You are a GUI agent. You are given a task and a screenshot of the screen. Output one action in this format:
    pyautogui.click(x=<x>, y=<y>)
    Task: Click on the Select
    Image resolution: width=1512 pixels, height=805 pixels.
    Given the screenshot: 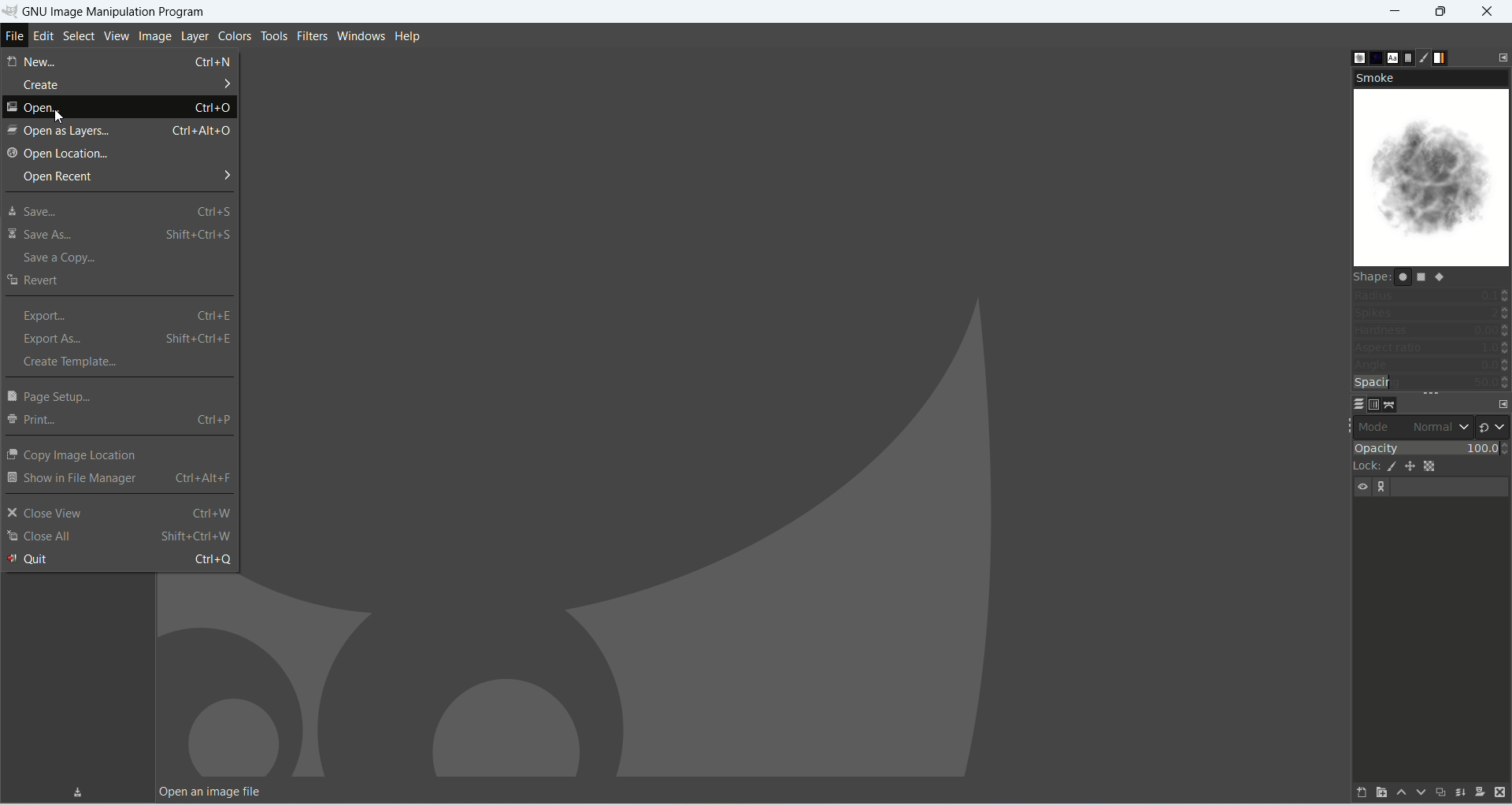 What is the action you would take?
    pyautogui.click(x=79, y=35)
    